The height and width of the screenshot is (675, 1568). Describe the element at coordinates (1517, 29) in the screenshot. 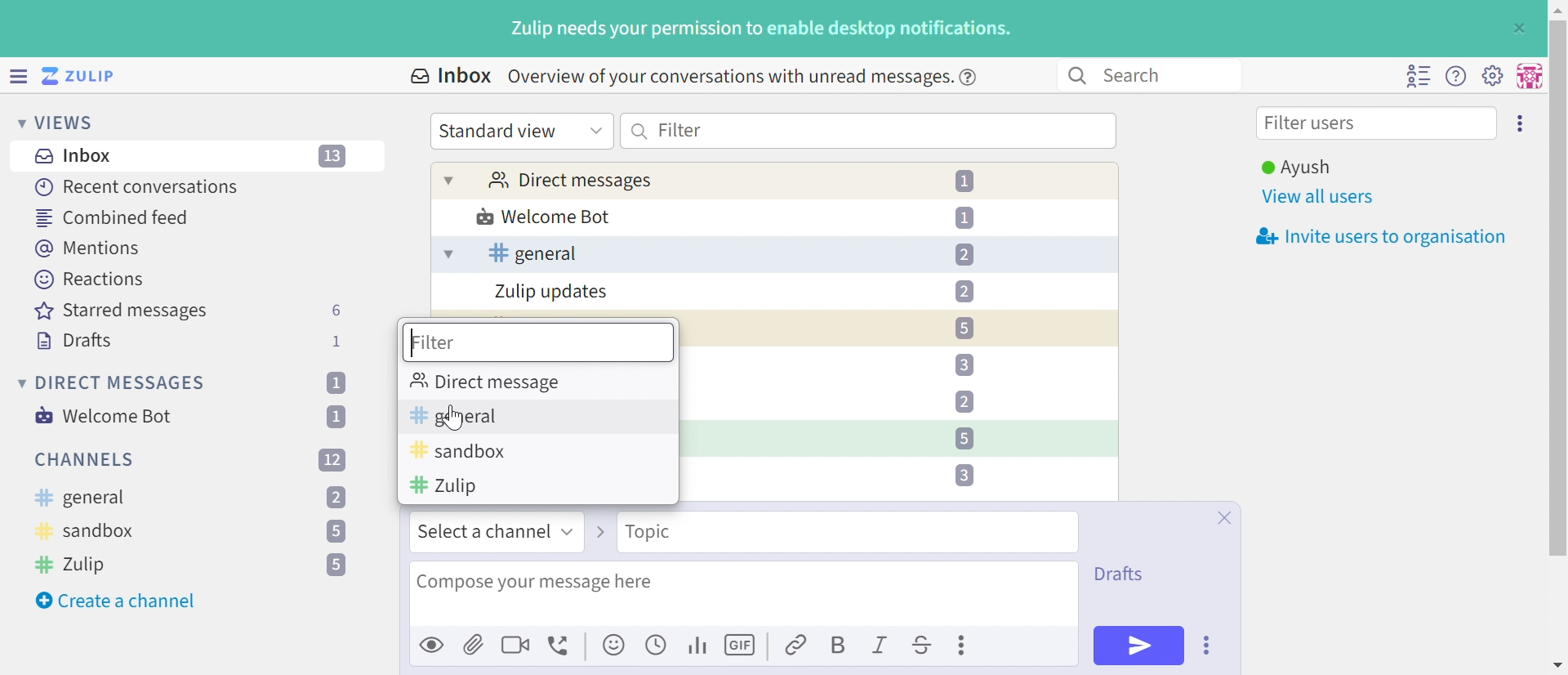

I see `Close` at that location.